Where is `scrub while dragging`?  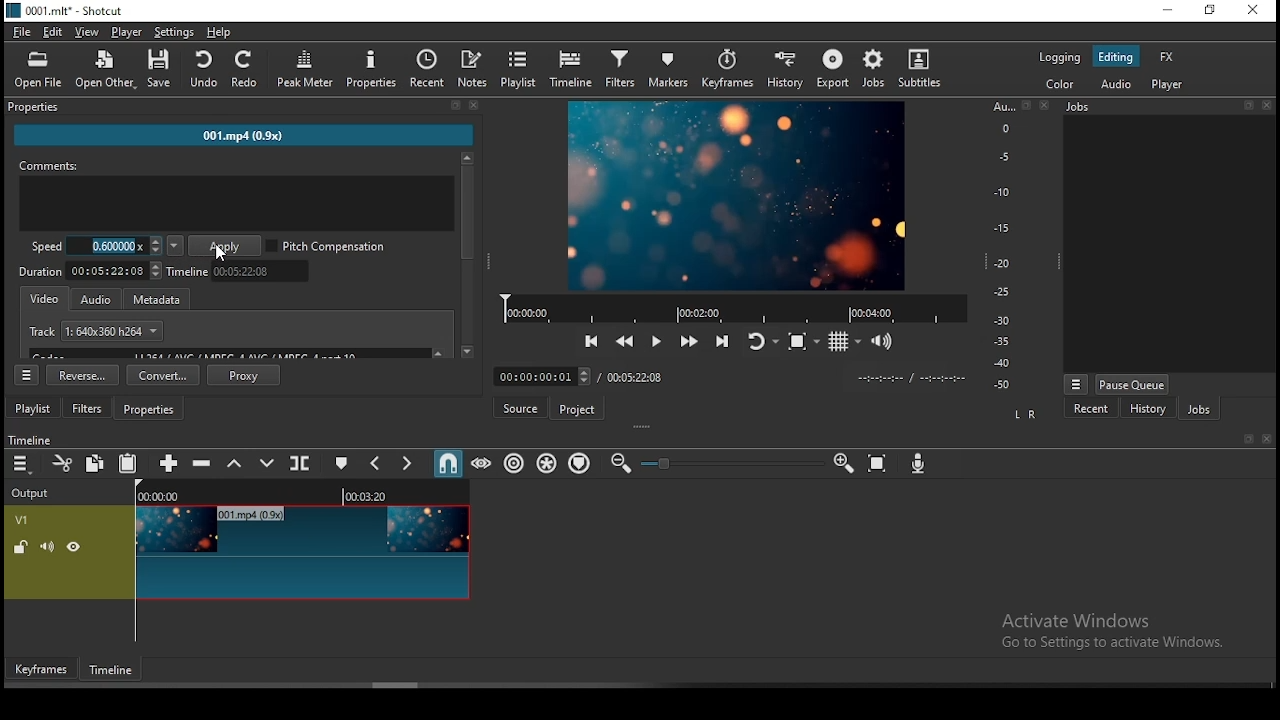 scrub while dragging is located at coordinates (483, 465).